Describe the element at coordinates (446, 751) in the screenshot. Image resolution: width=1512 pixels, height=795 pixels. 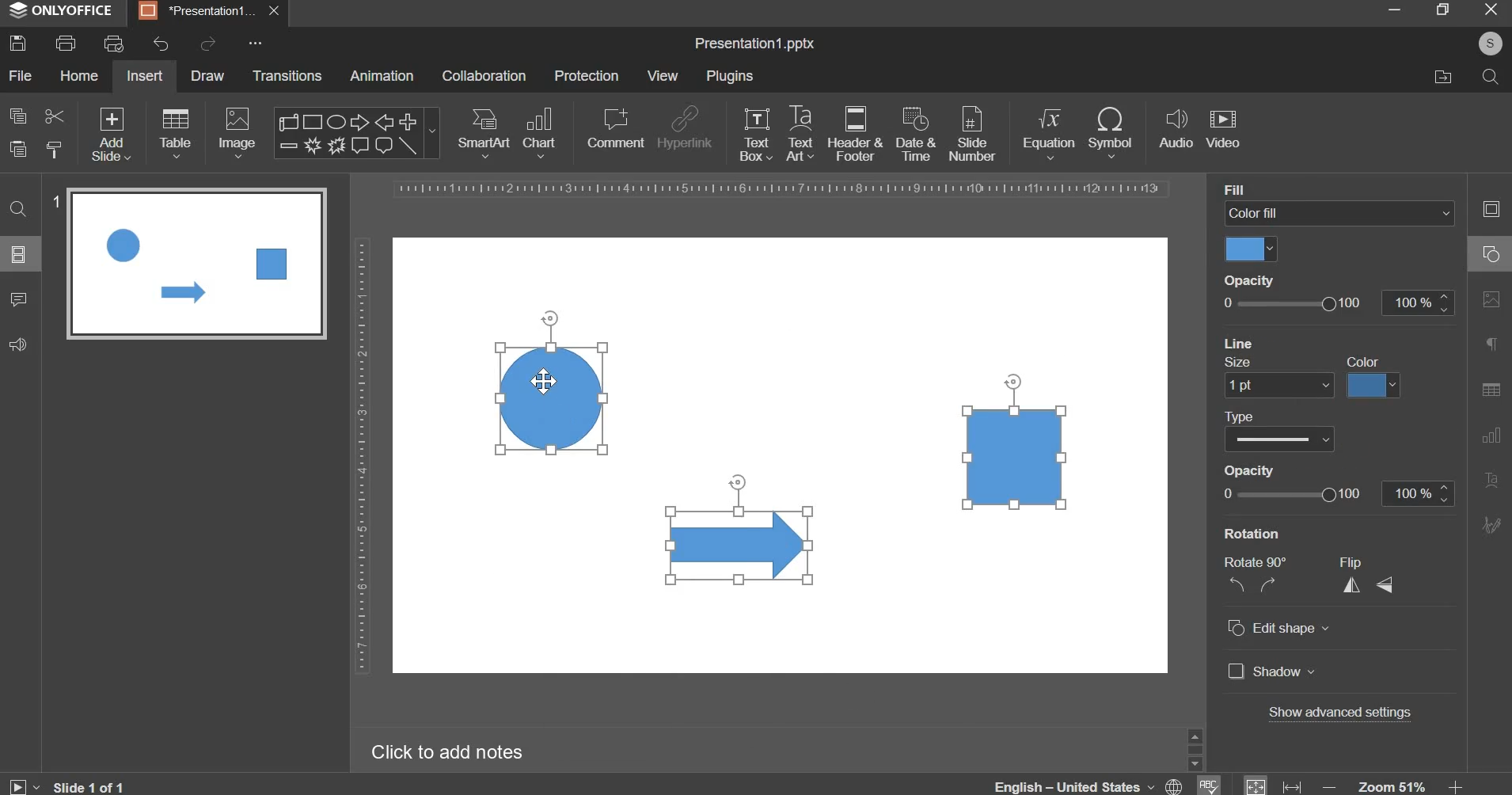
I see `Click to add notes` at that location.